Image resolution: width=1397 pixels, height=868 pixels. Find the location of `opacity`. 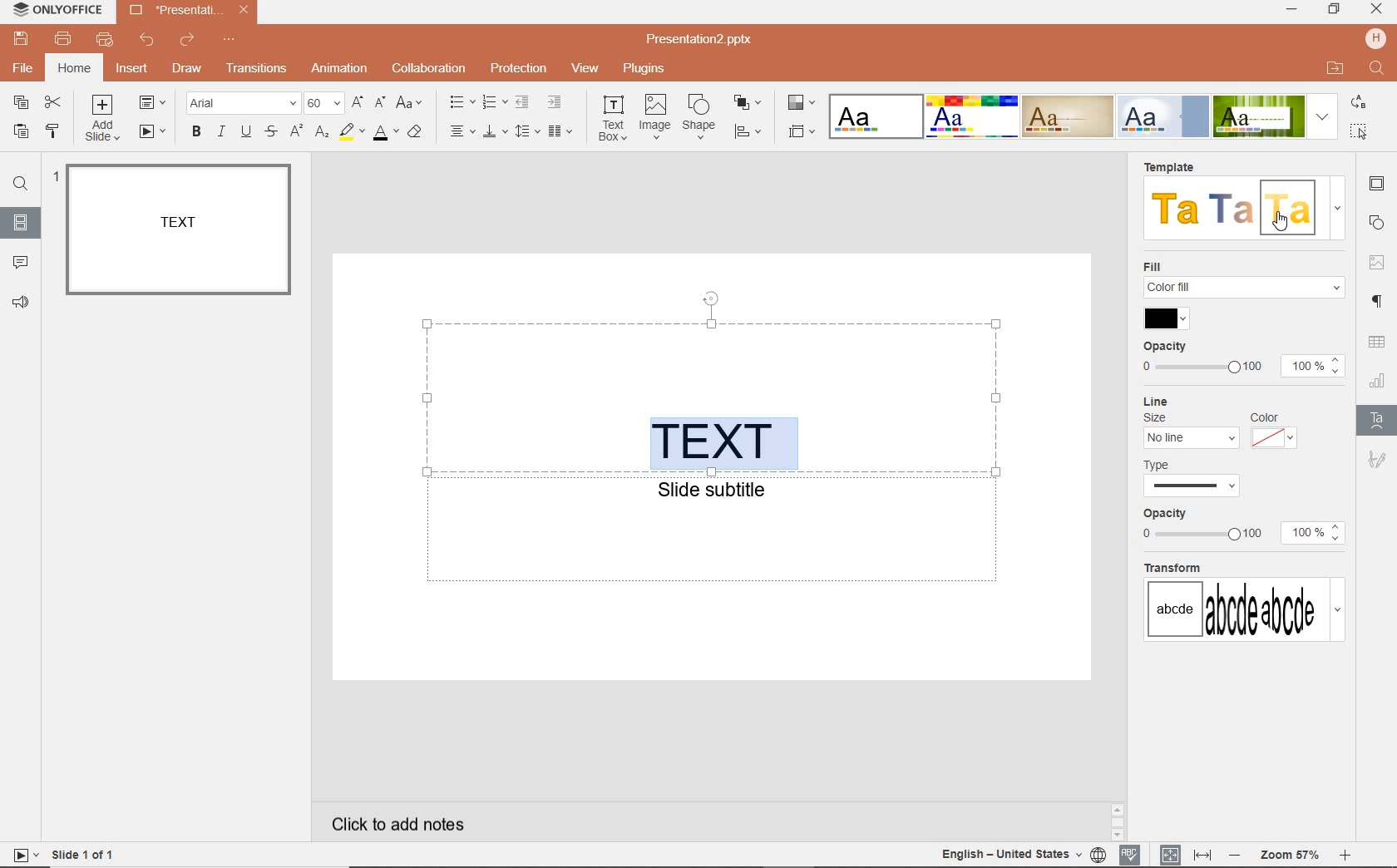

opacity is located at coordinates (1163, 345).